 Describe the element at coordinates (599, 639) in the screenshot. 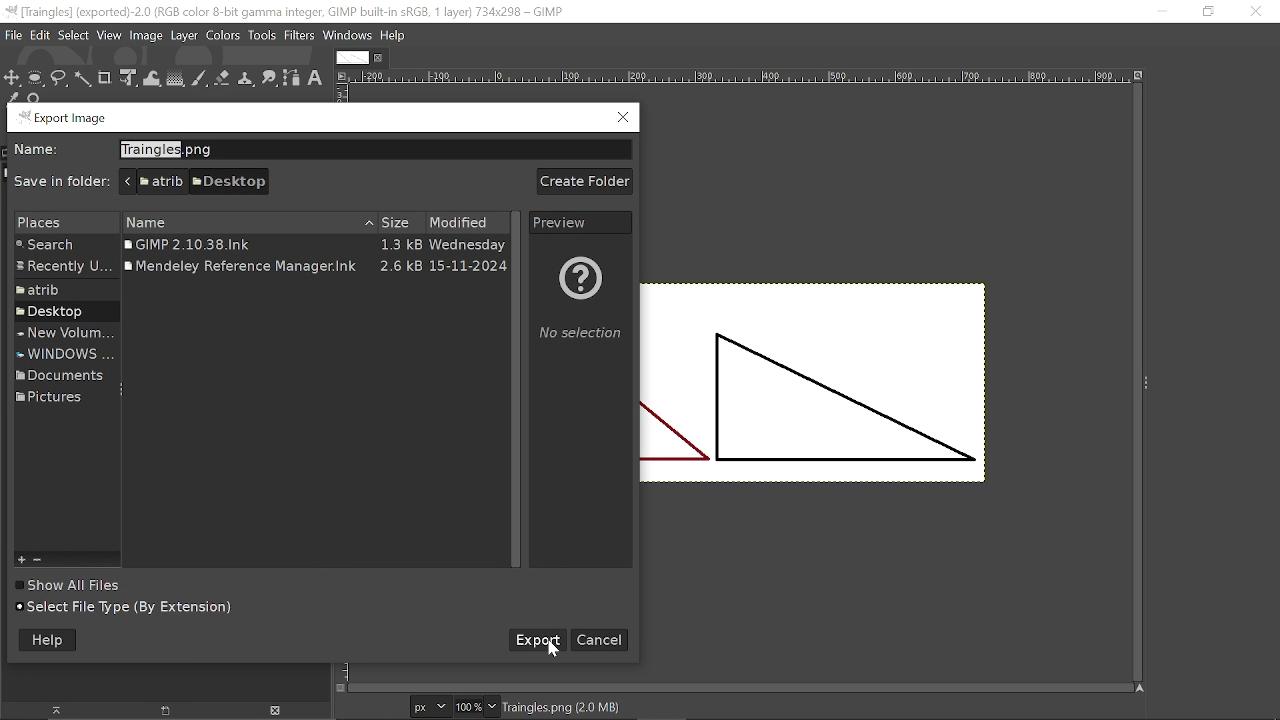

I see `Cancel` at that location.